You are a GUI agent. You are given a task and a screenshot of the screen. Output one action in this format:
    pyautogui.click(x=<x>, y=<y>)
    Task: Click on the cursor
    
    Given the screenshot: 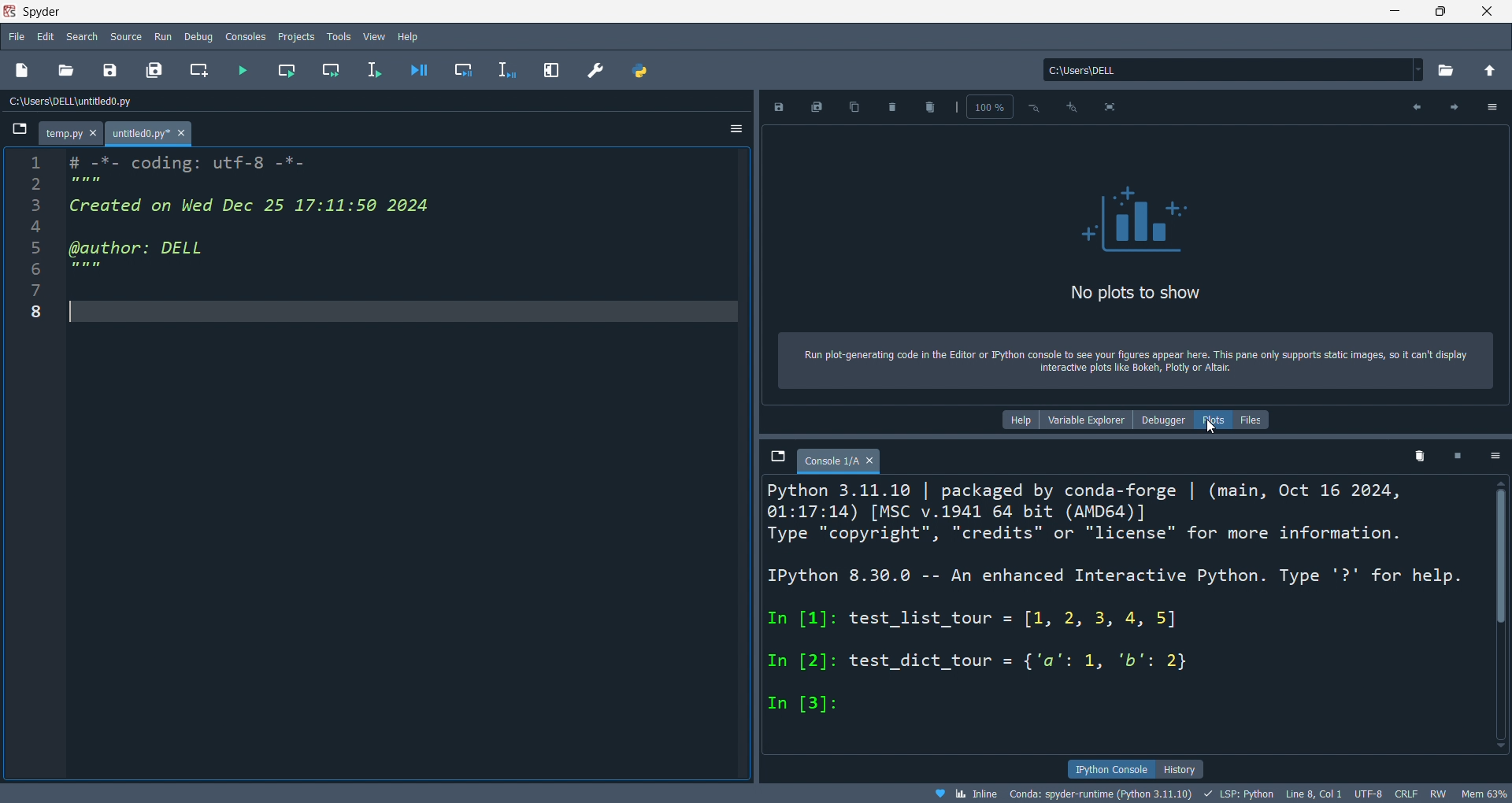 What is the action you would take?
    pyautogui.click(x=1212, y=427)
    